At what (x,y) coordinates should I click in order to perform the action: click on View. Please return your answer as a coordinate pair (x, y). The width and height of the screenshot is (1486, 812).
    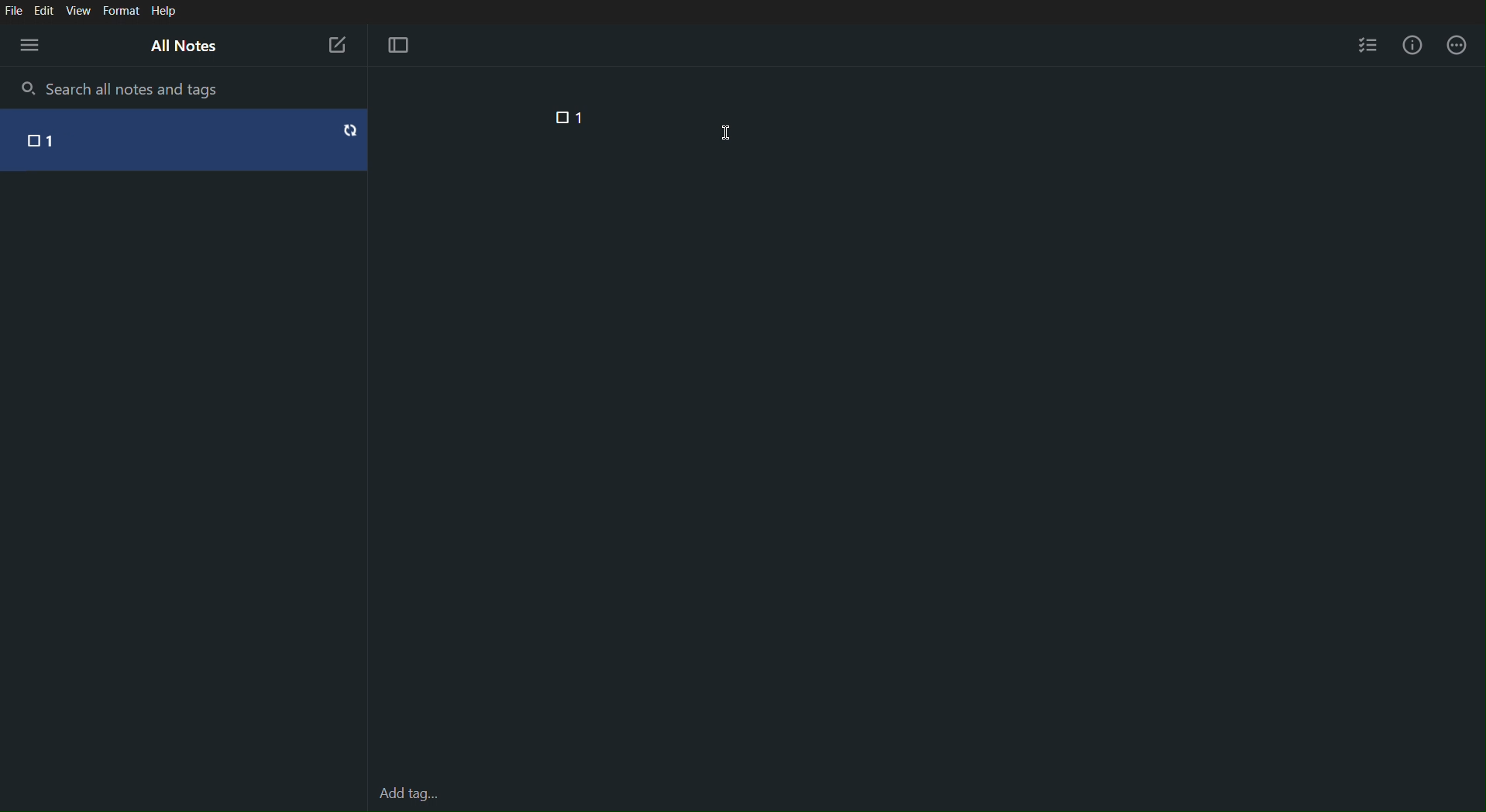
    Looking at the image, I should click on (80, 11).